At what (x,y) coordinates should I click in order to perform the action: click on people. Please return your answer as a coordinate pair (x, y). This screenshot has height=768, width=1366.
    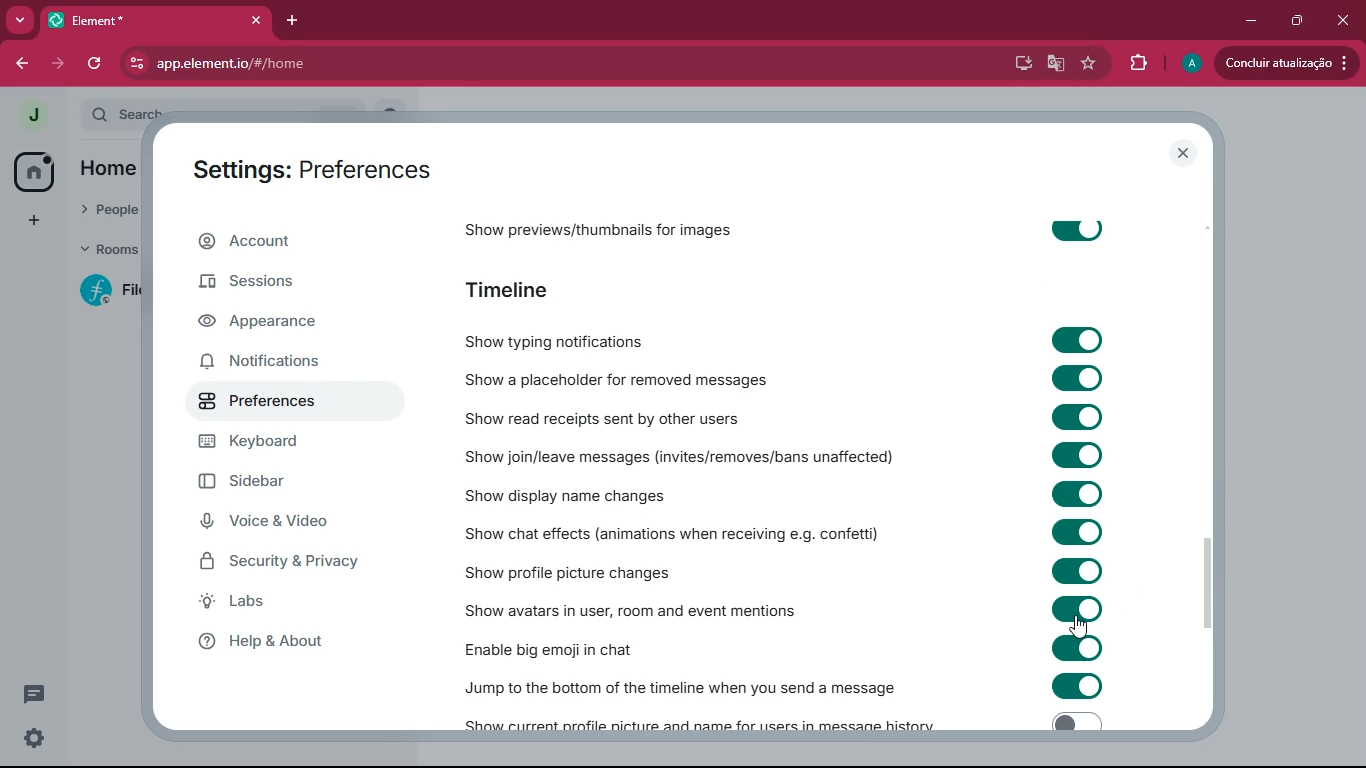
    Looking at the image, I should click on (107, 206).